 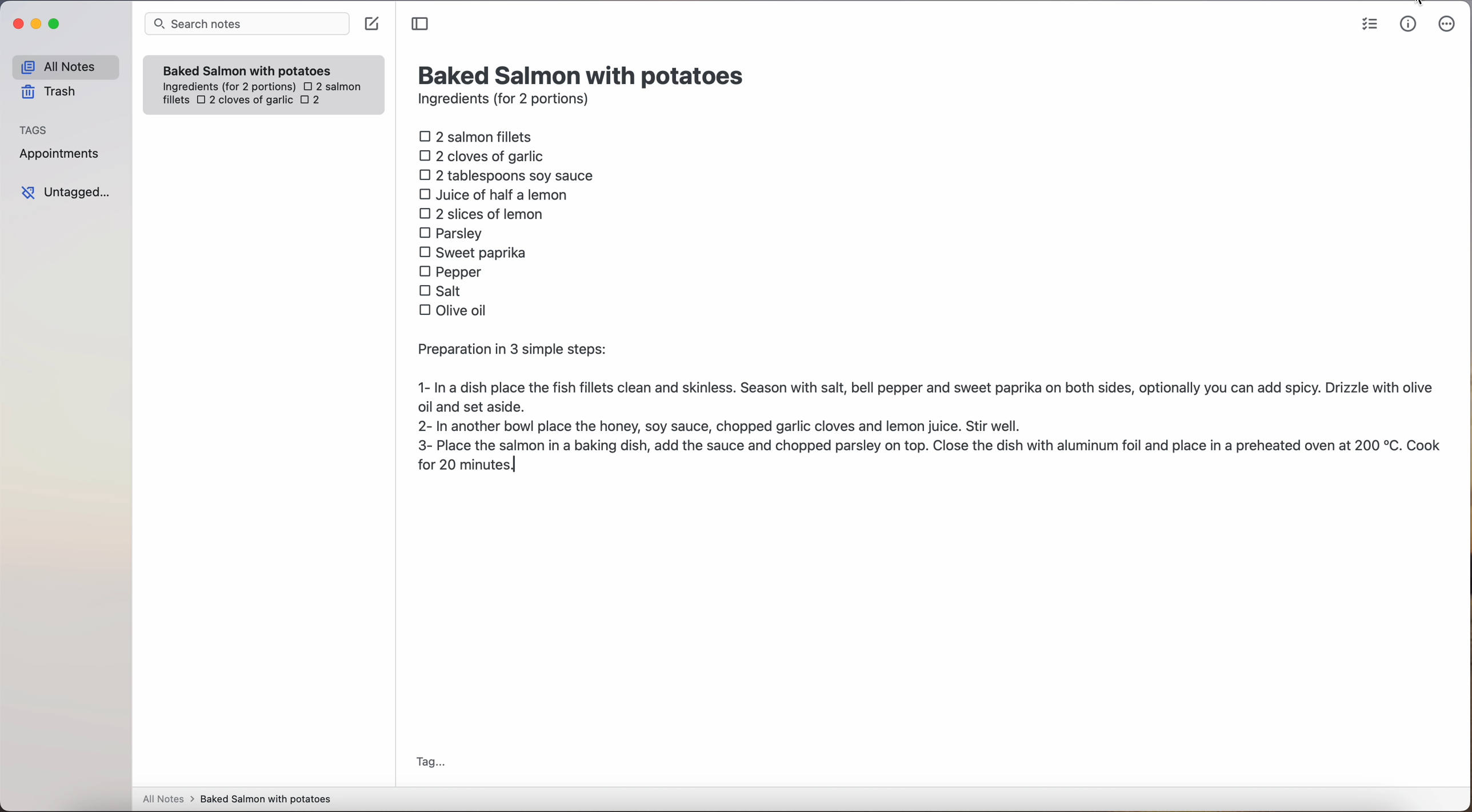 I want to click on metrics, so click(x=1409, y=23).